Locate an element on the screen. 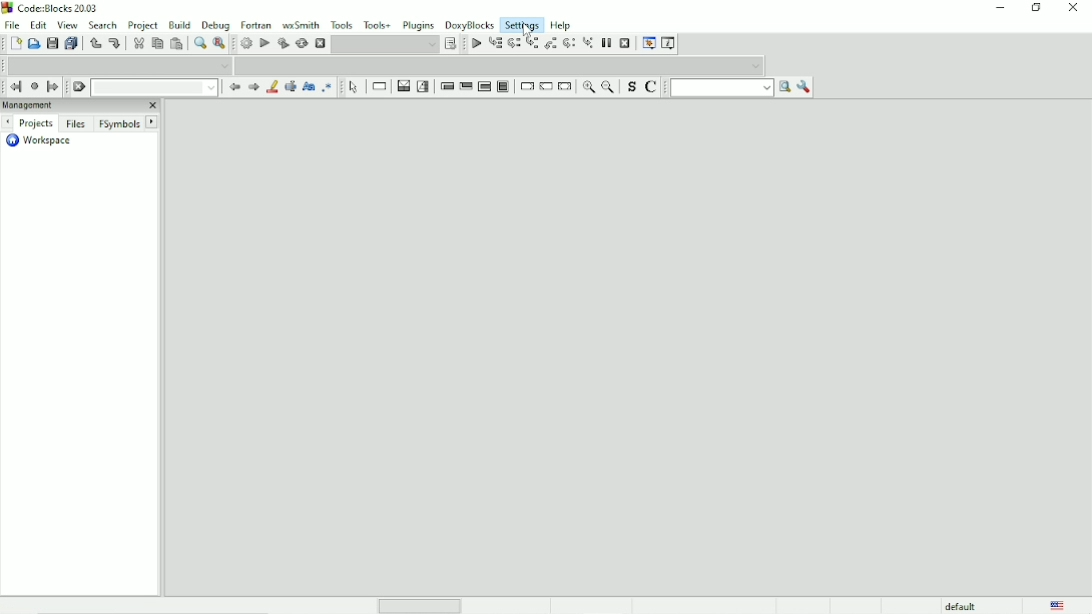 This screenshot has width=1092, height=614. Copy is located at coordinates (156, 43).